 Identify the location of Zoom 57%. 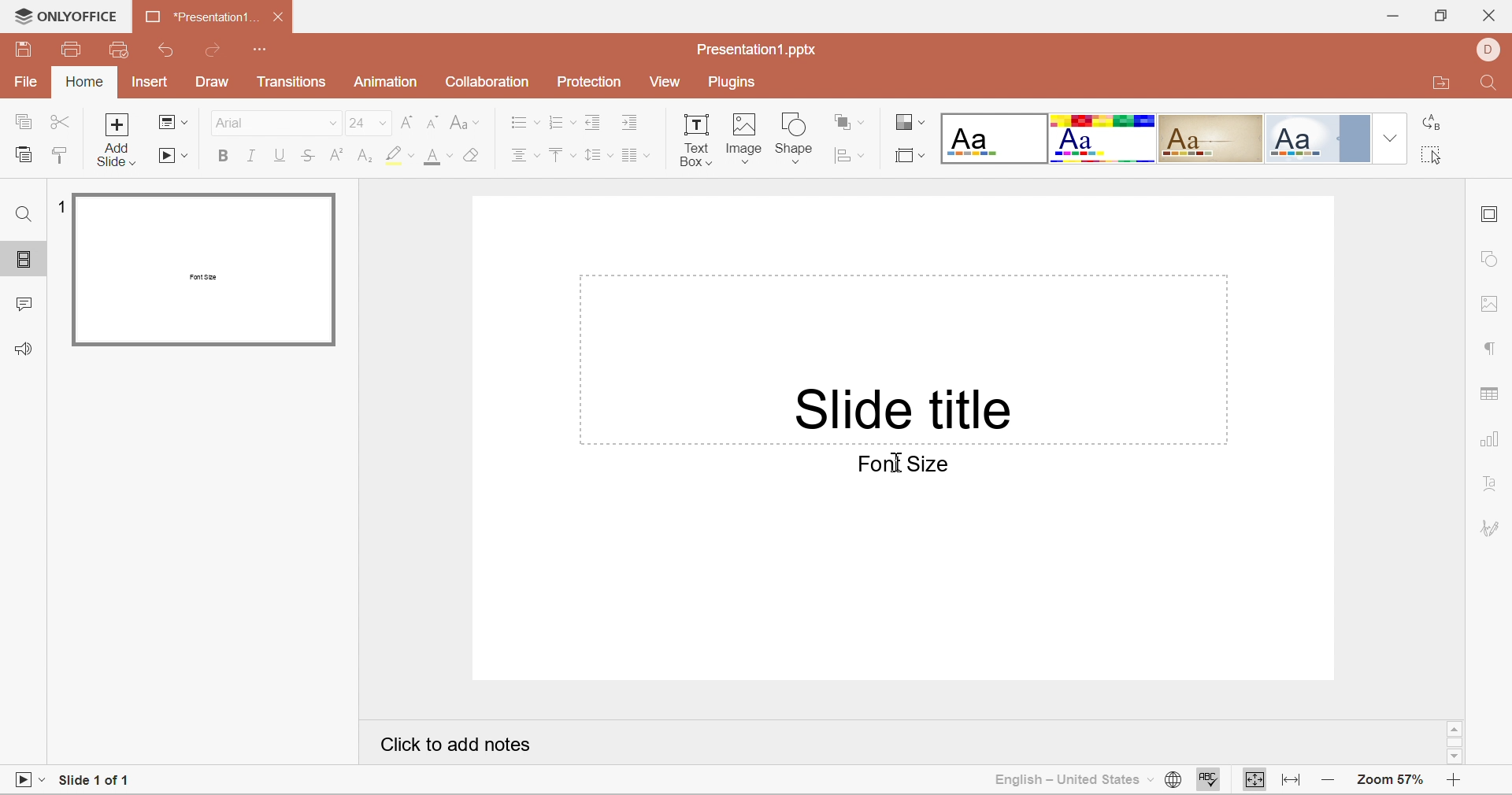
(1393, 780).